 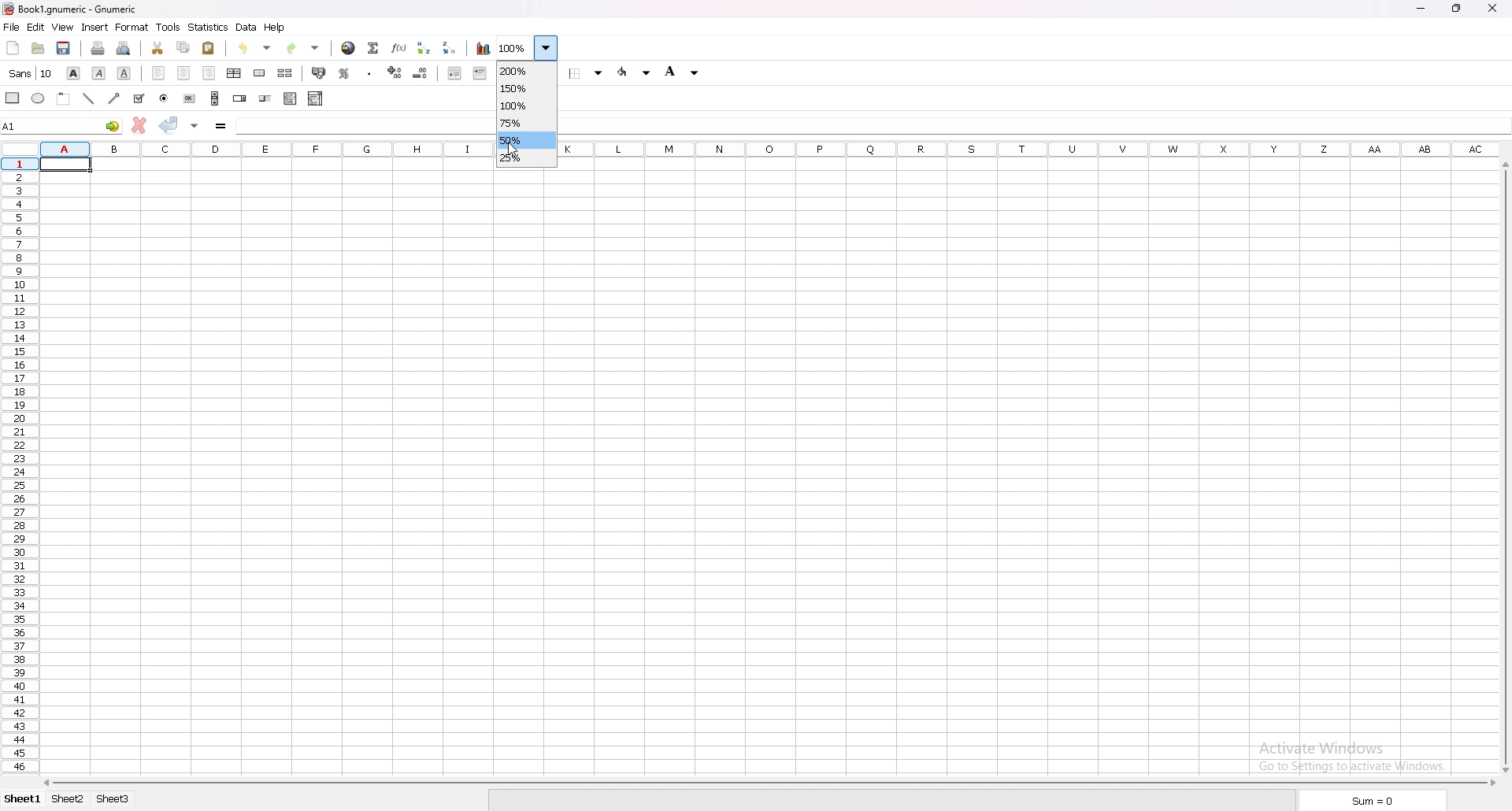 What do you see at coordinates (481, 74) in the screenshot?
I see `increase indent` at bounding box center [481, 74].